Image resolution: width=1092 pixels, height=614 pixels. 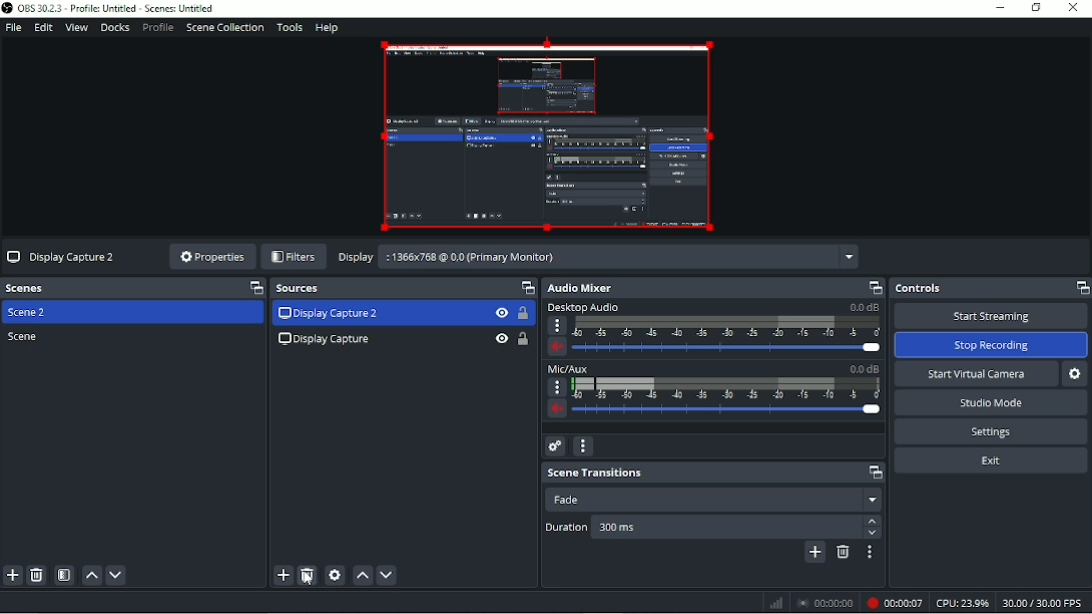 I want to click on Move scene down, so click(x=117, y=576).